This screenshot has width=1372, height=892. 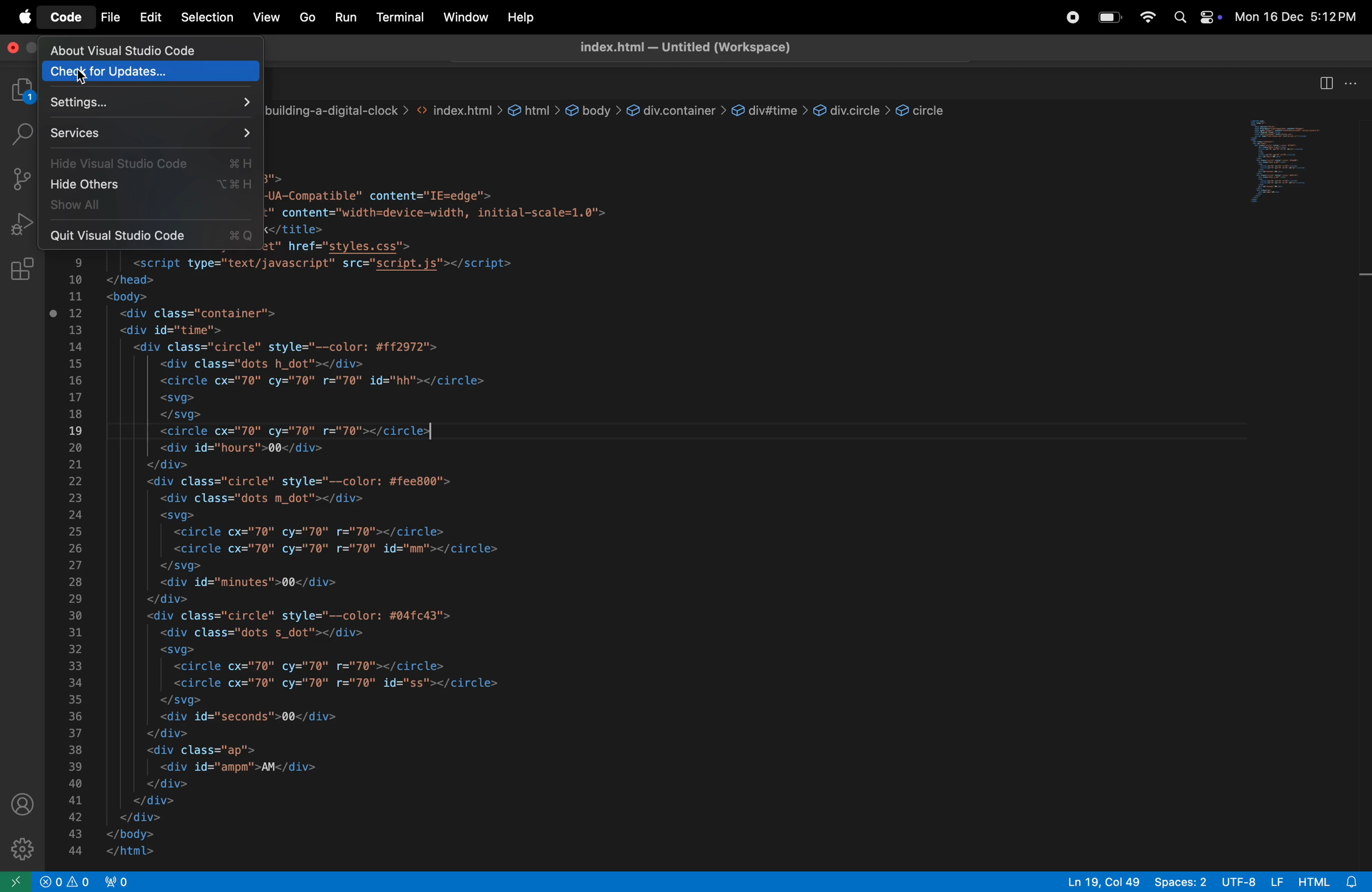 What do you see at coordinates (171, 464) in the screenshot?
I see `</div>` at bounding box center [171, 464].